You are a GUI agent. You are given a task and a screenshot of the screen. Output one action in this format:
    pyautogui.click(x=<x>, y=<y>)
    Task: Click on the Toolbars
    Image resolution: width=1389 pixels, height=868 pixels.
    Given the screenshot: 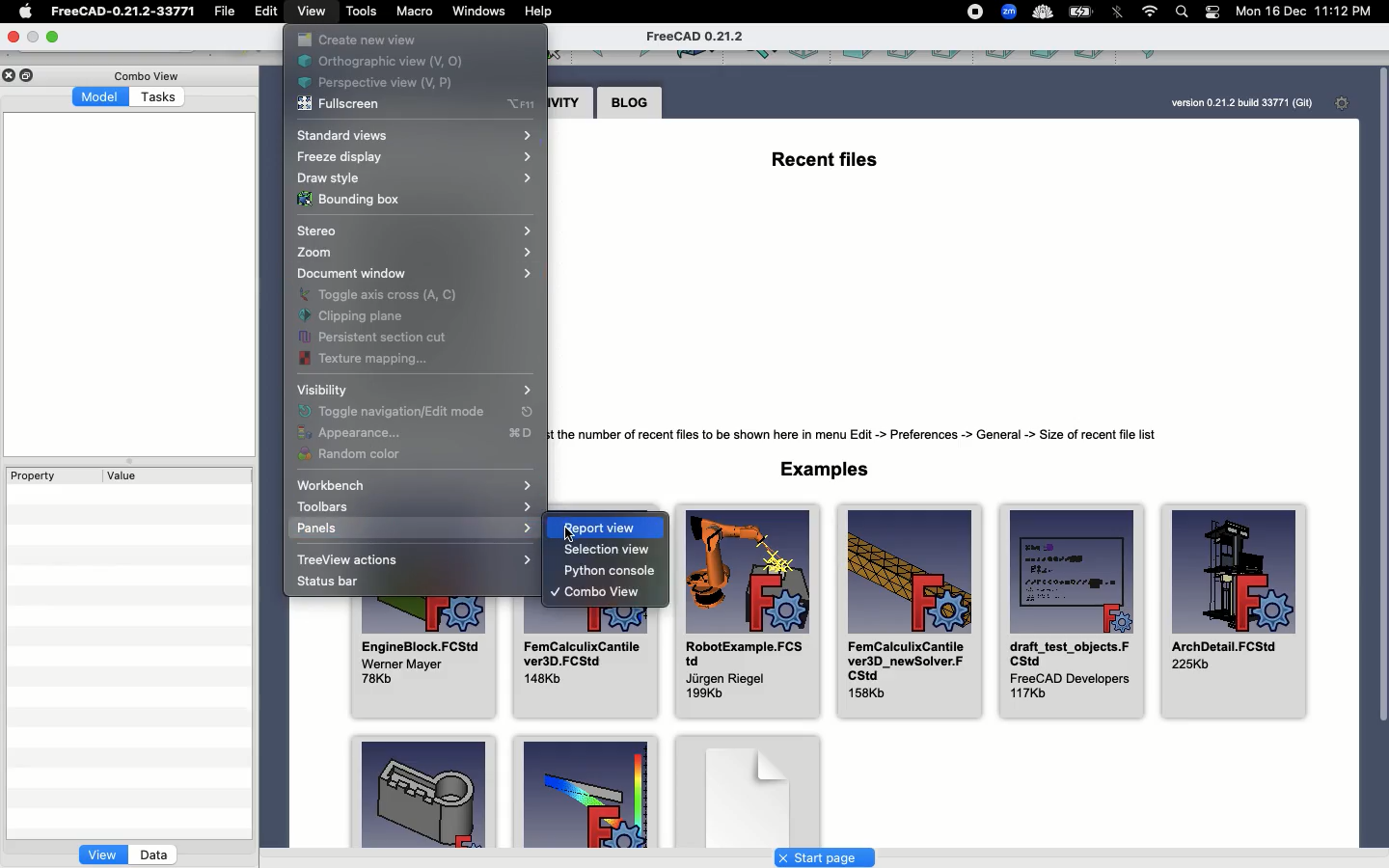 What is the action you would take?
    pyautogui.click(x=412, y=506)
    